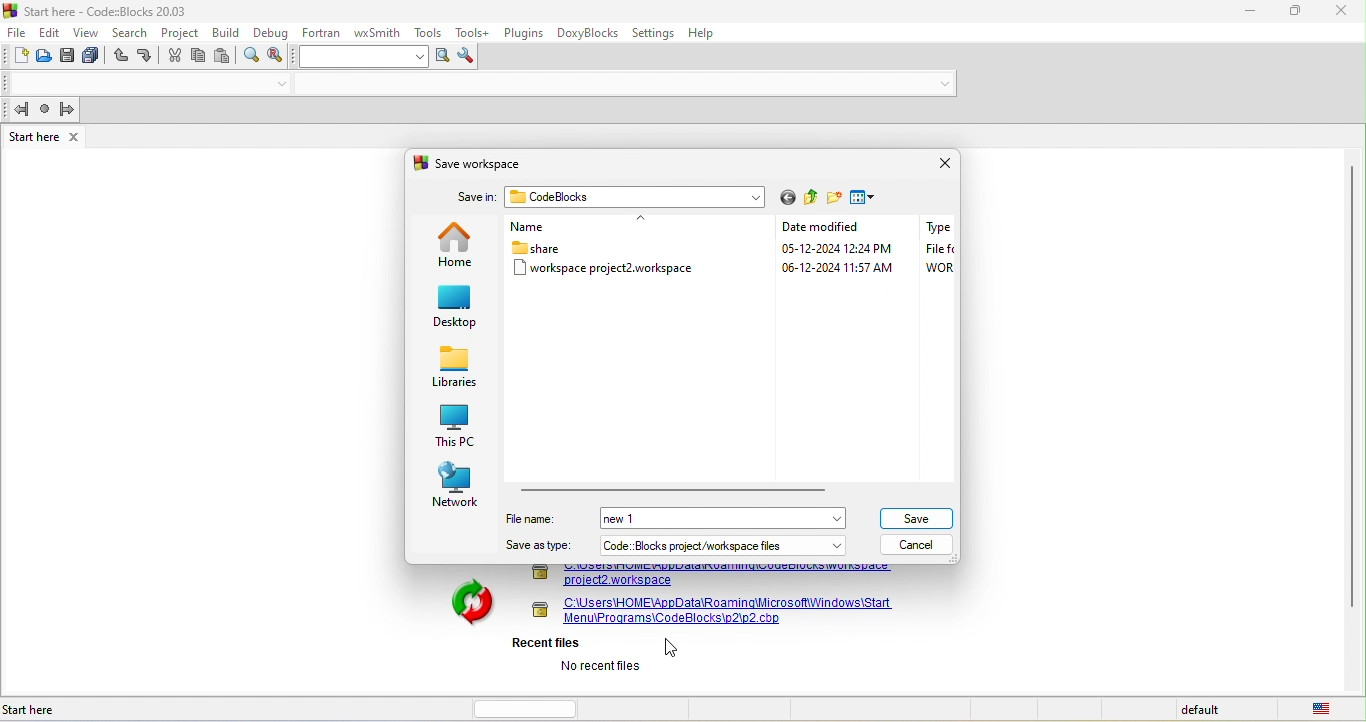 The height and width of the screenshot is (722, 1366). What do you see at coordinates (69, 58) in the screenshot?
I see `save` at bounding box center [69, 58].